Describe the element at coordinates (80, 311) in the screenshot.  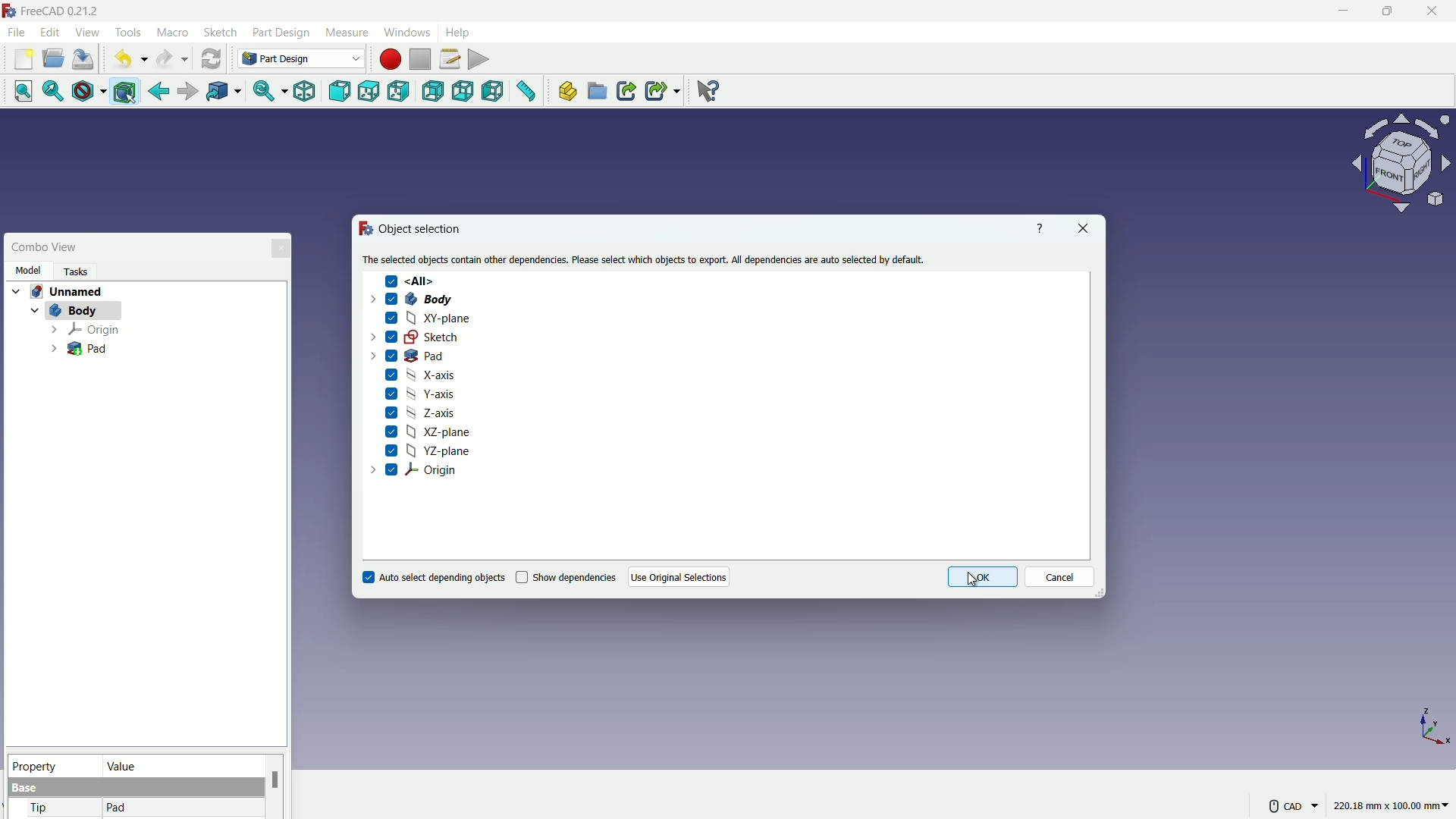
I see `Body` at that location.